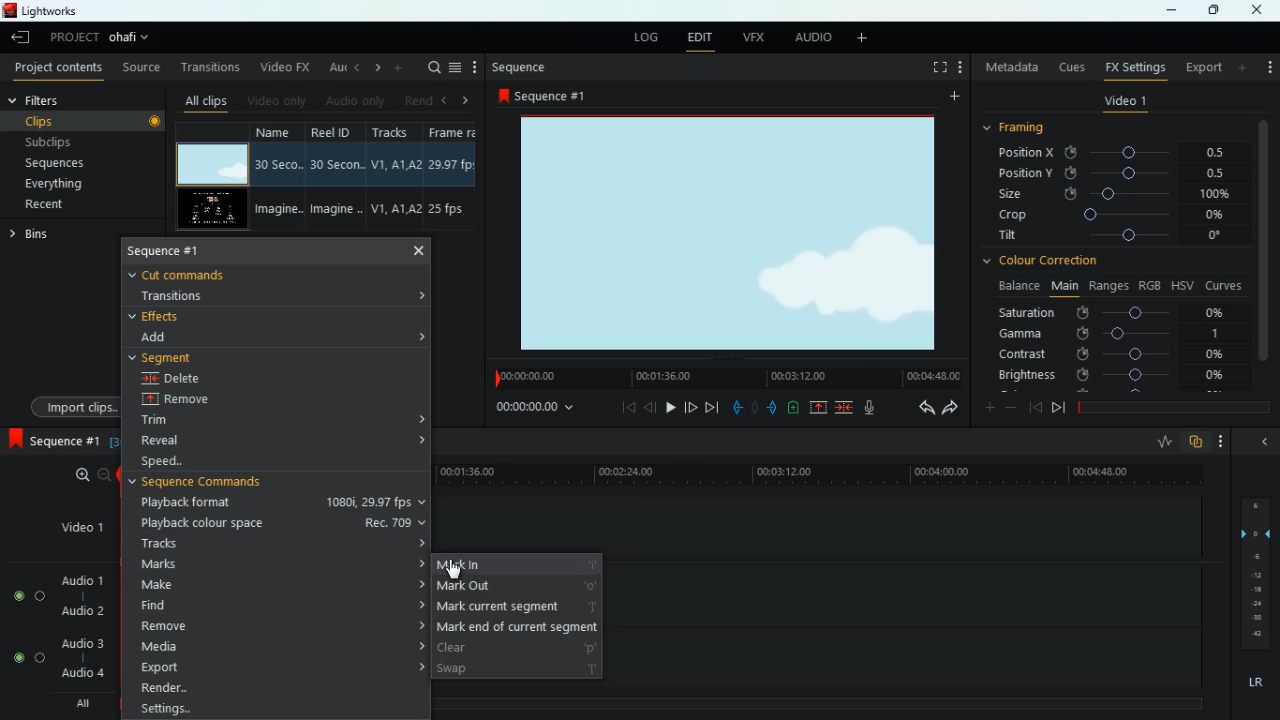  Describe the element at coordinates (178, 315) in the screenshot. I see `effects` at that location.